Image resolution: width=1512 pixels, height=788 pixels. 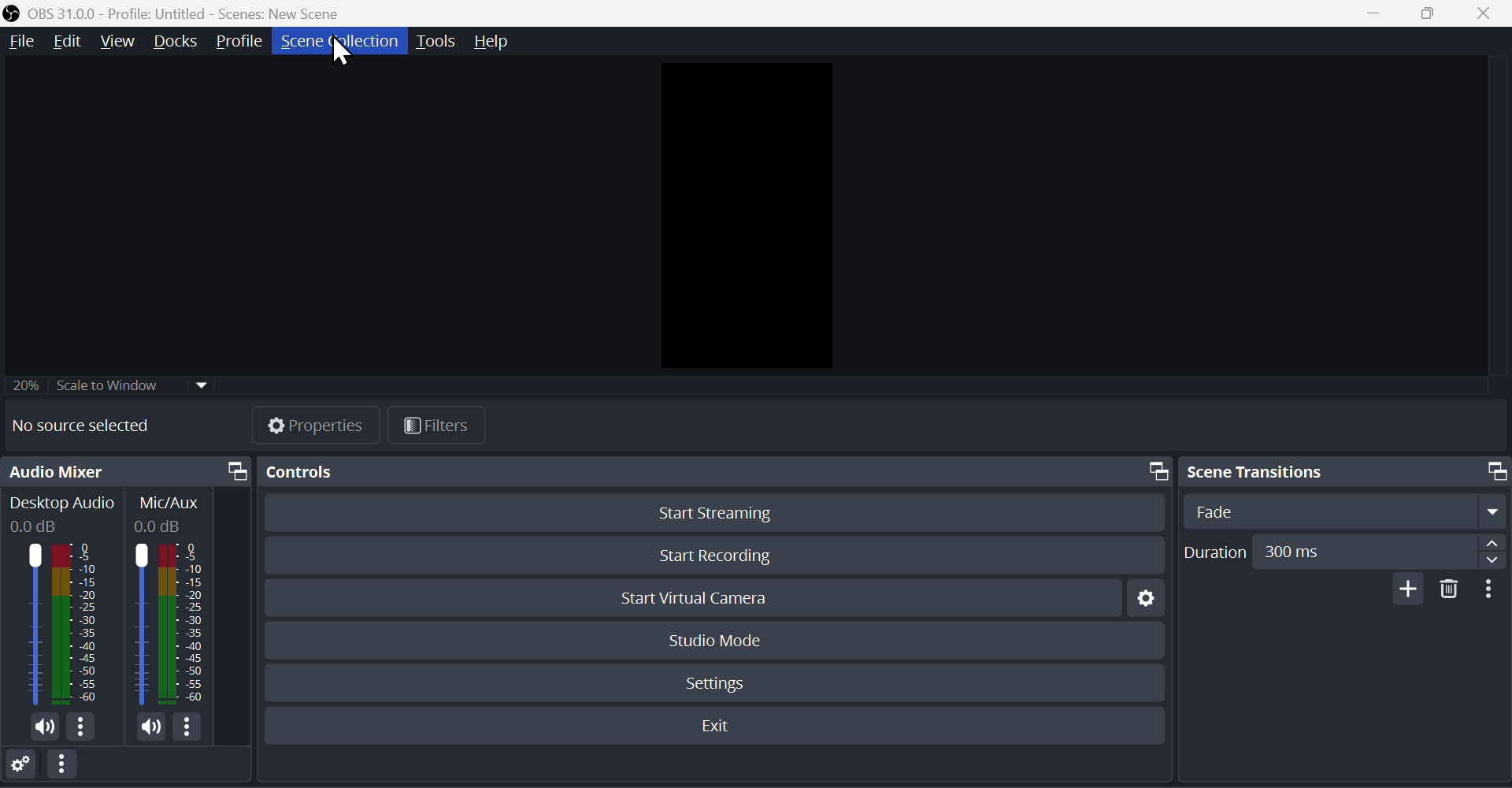 I want to click on view, so click(x=119, y=40).